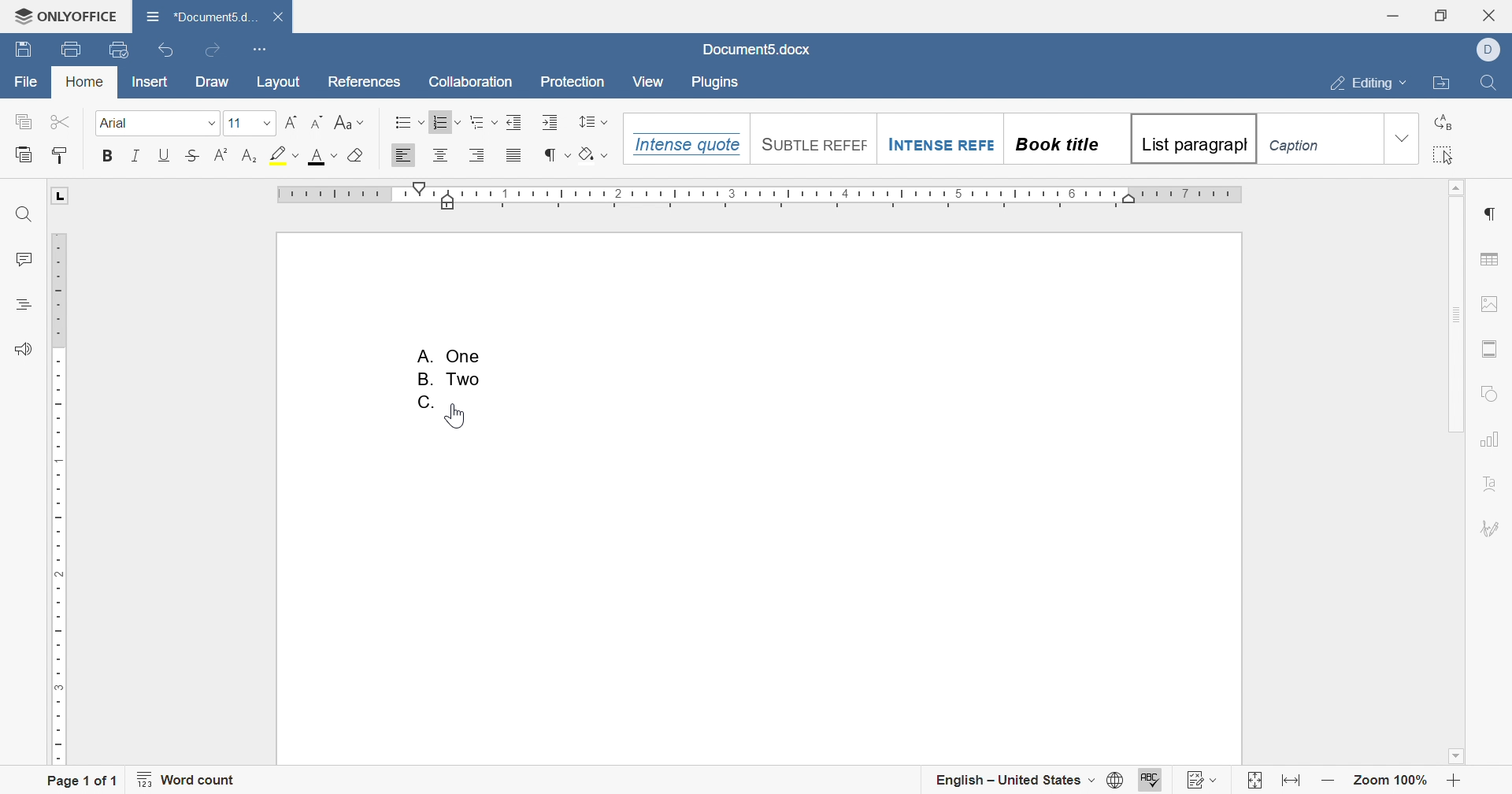 The width and height of the screenshot is (1512, 794). Describe the element at coordinates (60, 120) in the screenshot. I see `cut` at that location.